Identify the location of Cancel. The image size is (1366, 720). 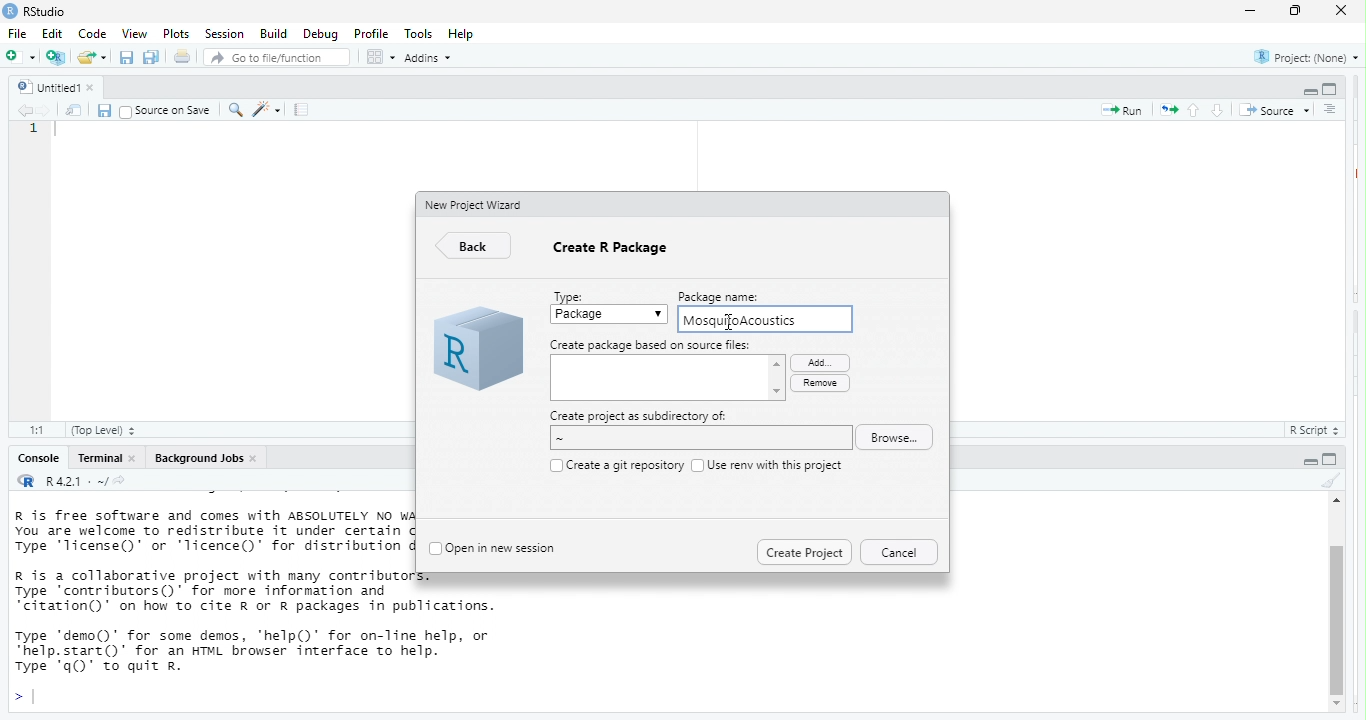
(898, 552).